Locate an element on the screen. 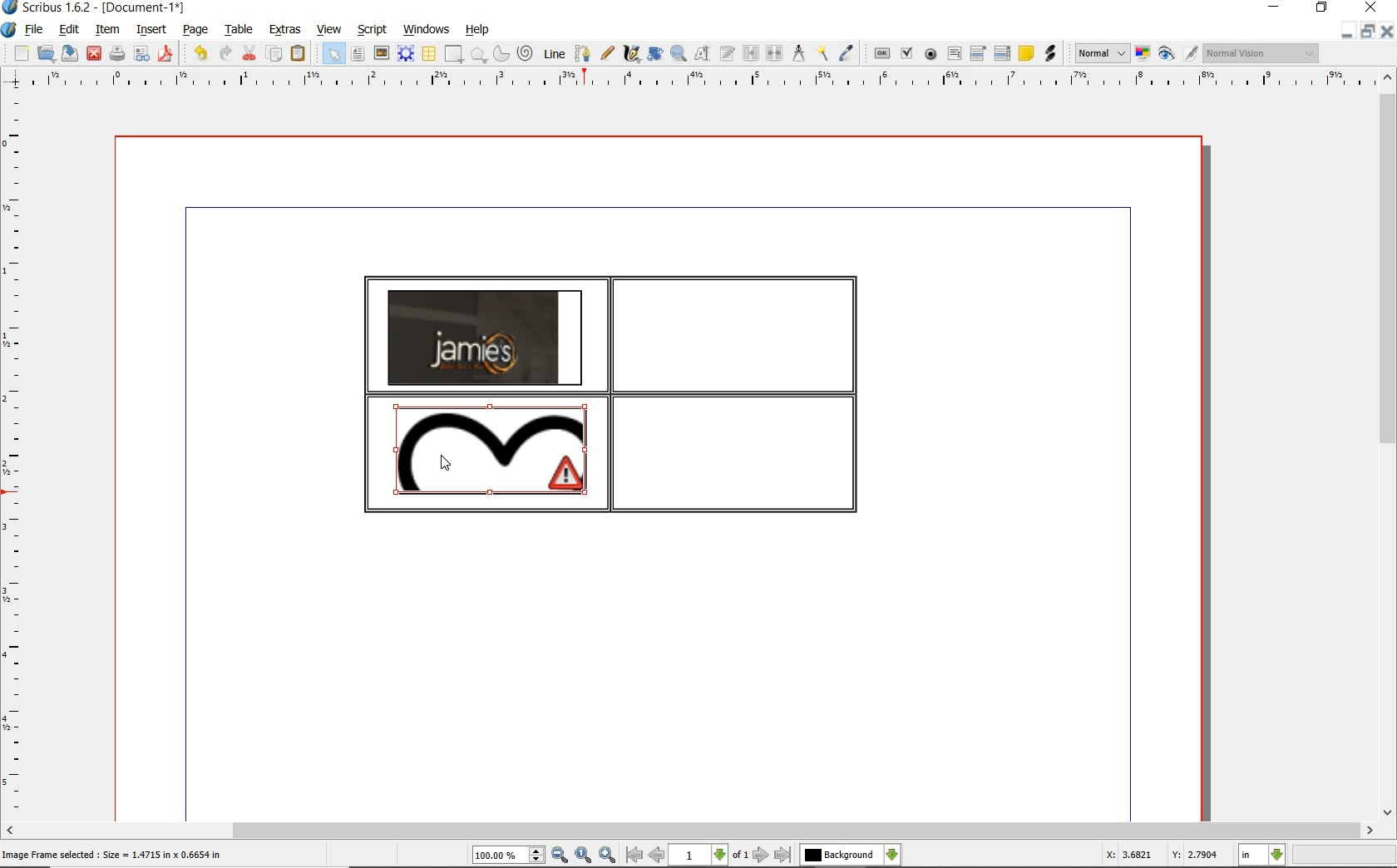 The height and width of the screenshot is (868, 1397). scrollbar is located at coordinates (1387, 446).